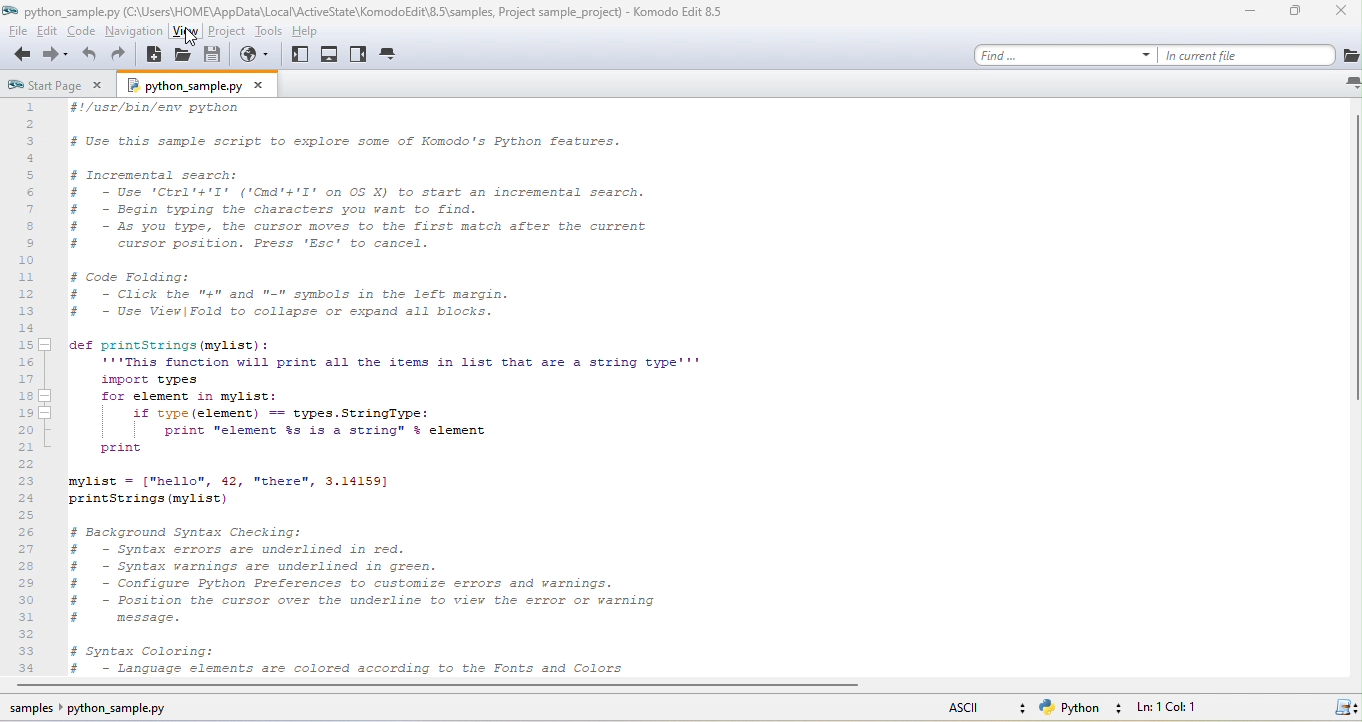 The image size is (1362, 722). I want to click on redo, so click(126, 57).